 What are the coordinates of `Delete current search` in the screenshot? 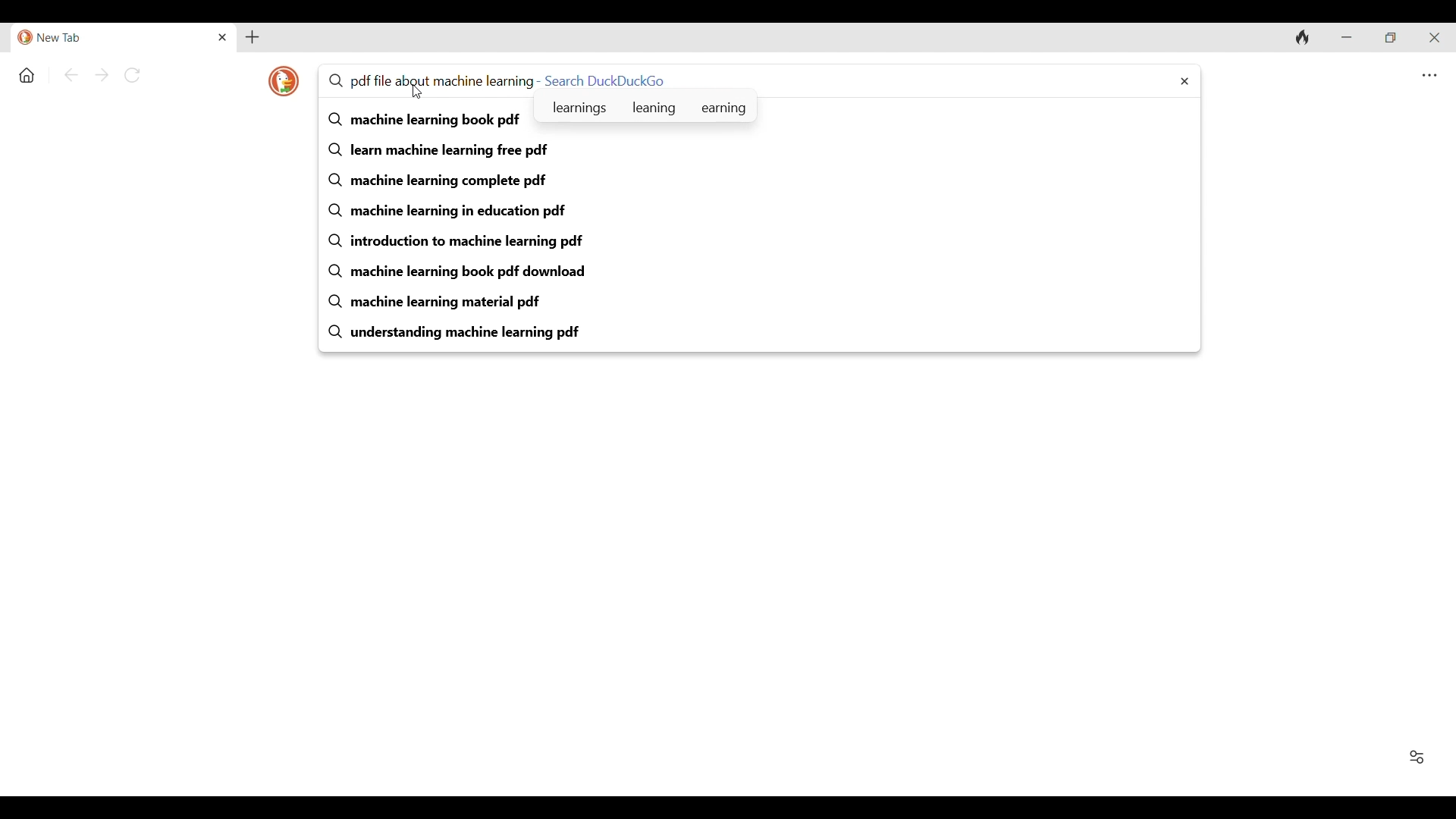 It's located at (1185, 81).